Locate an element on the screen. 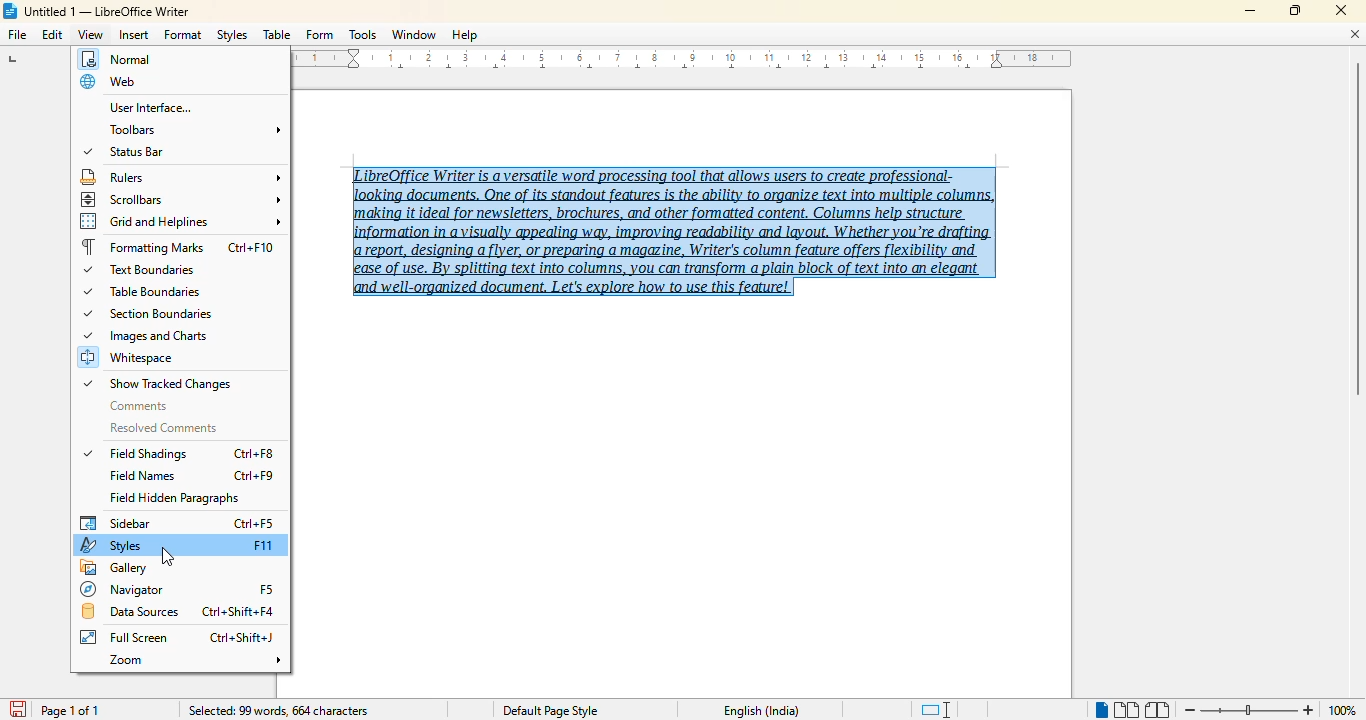 The height and width of the screenshot is (720, 1366). text boundaries is located at coordinates (140, 269).